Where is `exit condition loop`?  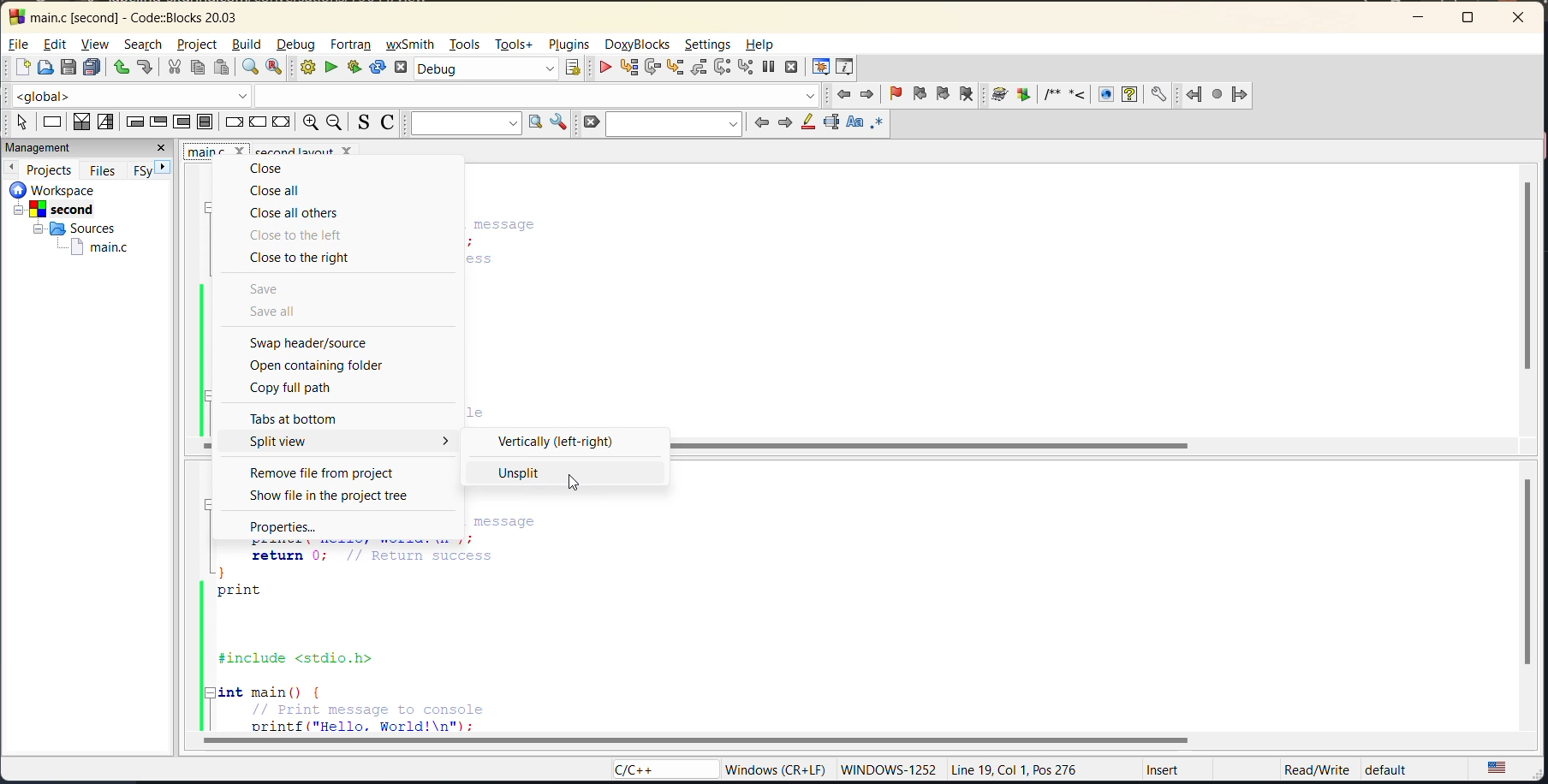 exit condition loop is located at coordinates (157, 122).